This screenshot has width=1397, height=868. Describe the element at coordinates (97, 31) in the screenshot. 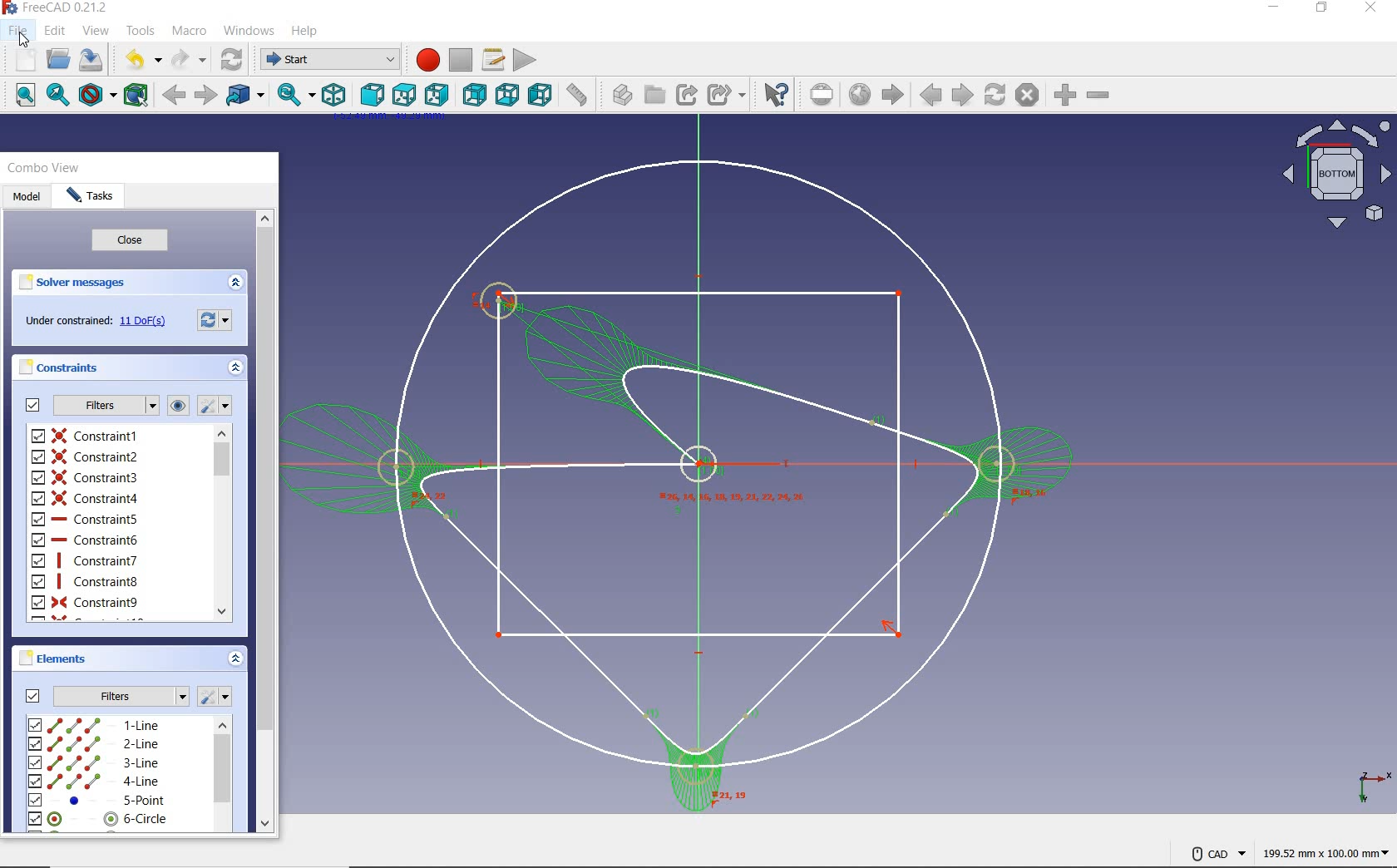

I see `view` at that location.